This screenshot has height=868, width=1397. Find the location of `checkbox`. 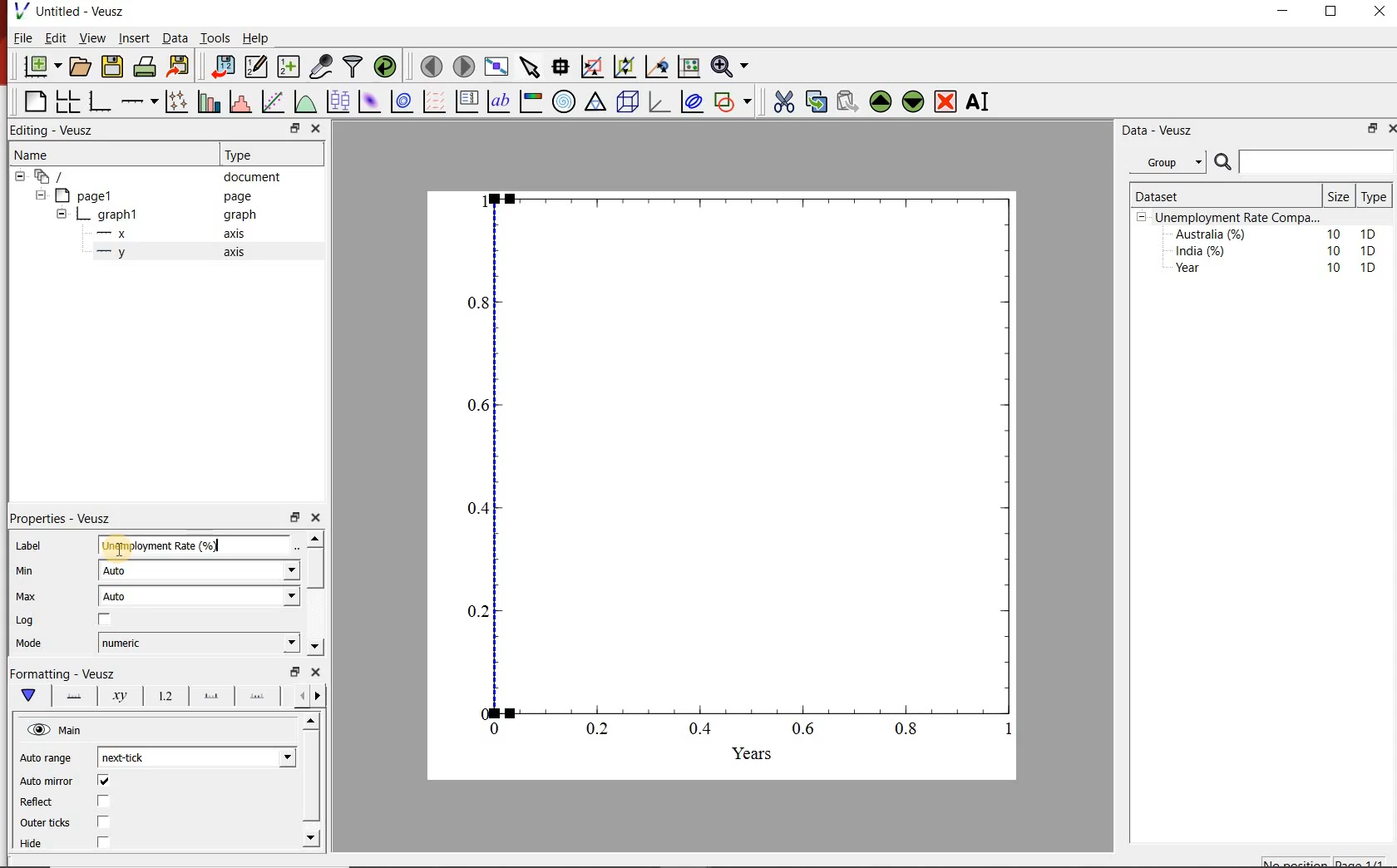

checkbox is located at coordinates (105, 823).